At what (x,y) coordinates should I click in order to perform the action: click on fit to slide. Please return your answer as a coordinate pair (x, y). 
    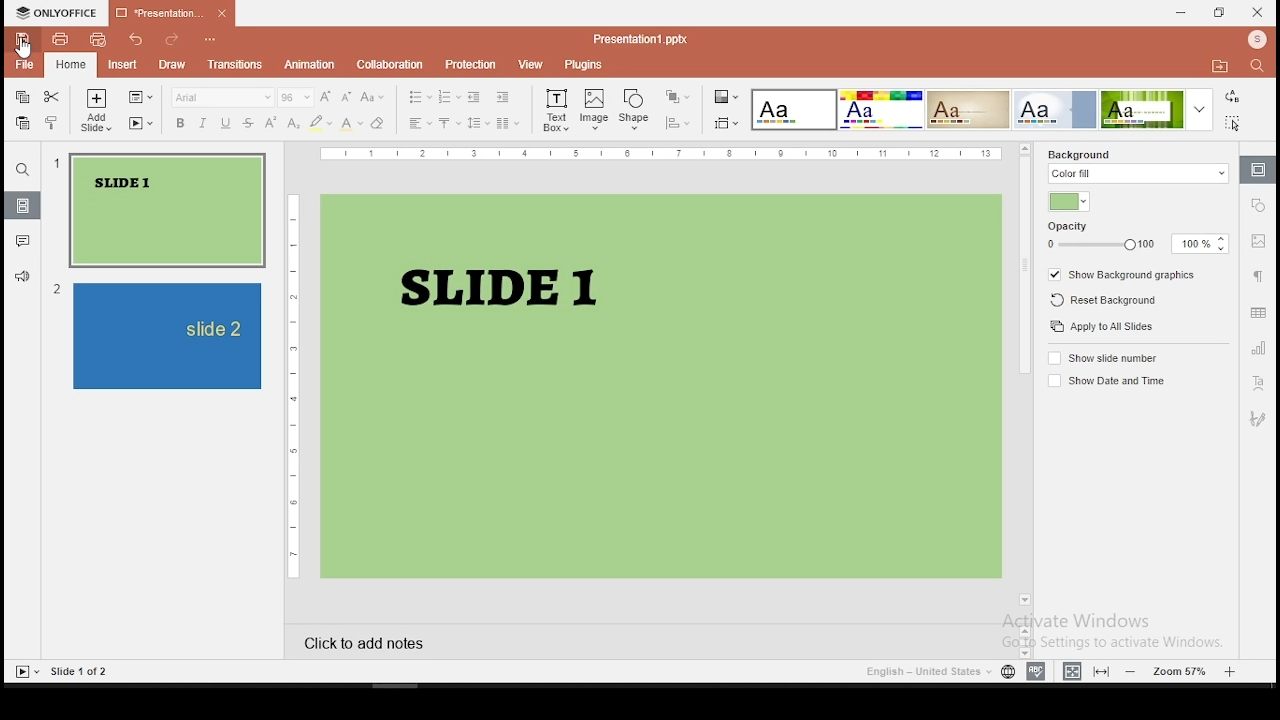
    Looking at the image, I should click on (1072, 669).